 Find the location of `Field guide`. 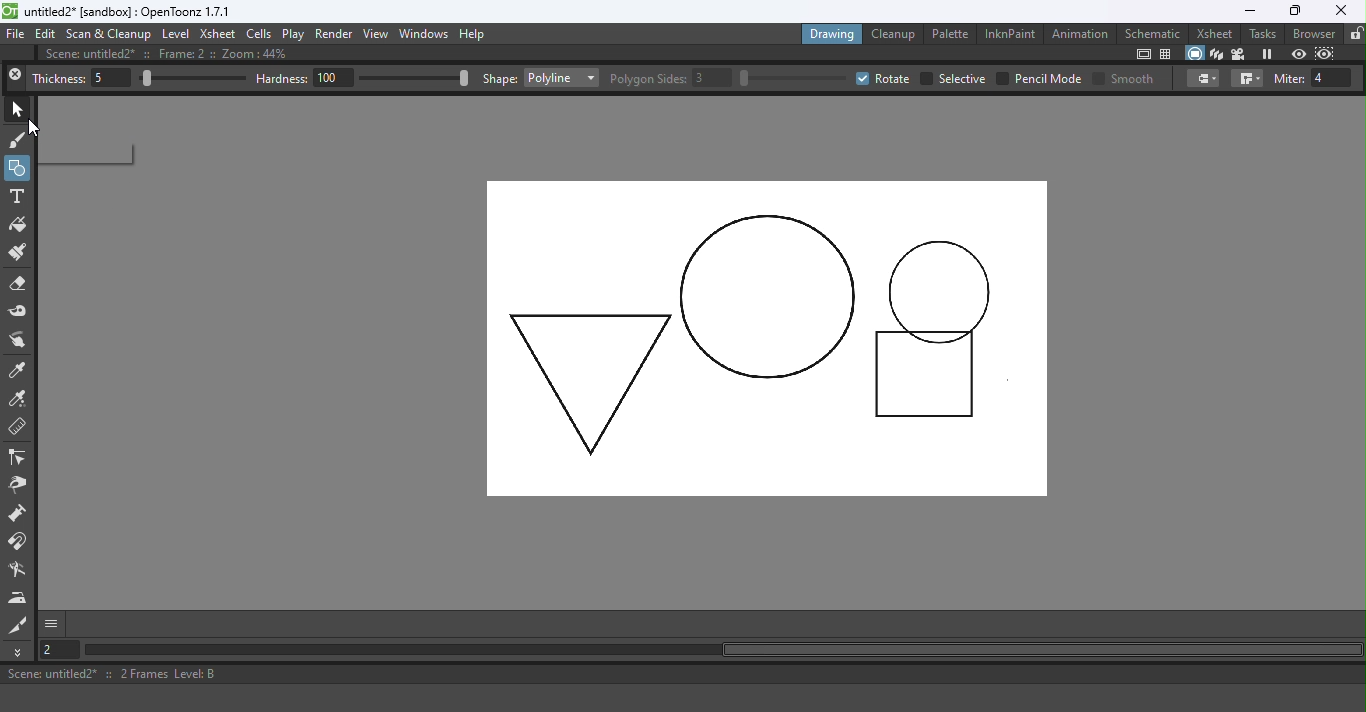

Field guide is located at coordinates (1168, 55).